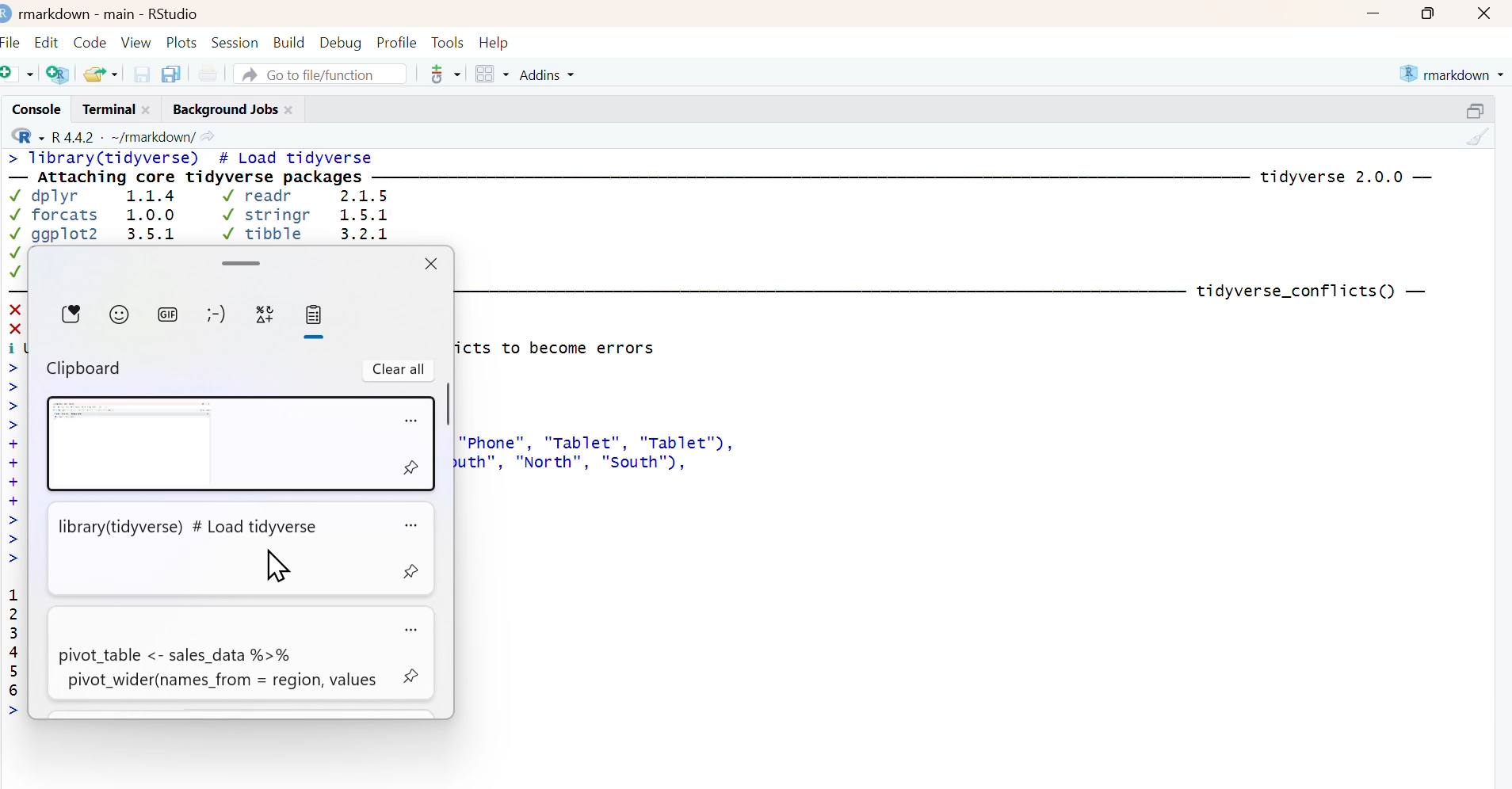 Image resolution: width=1512 pixels, height=789 pixels. I want to click on File, so click(13, 40).